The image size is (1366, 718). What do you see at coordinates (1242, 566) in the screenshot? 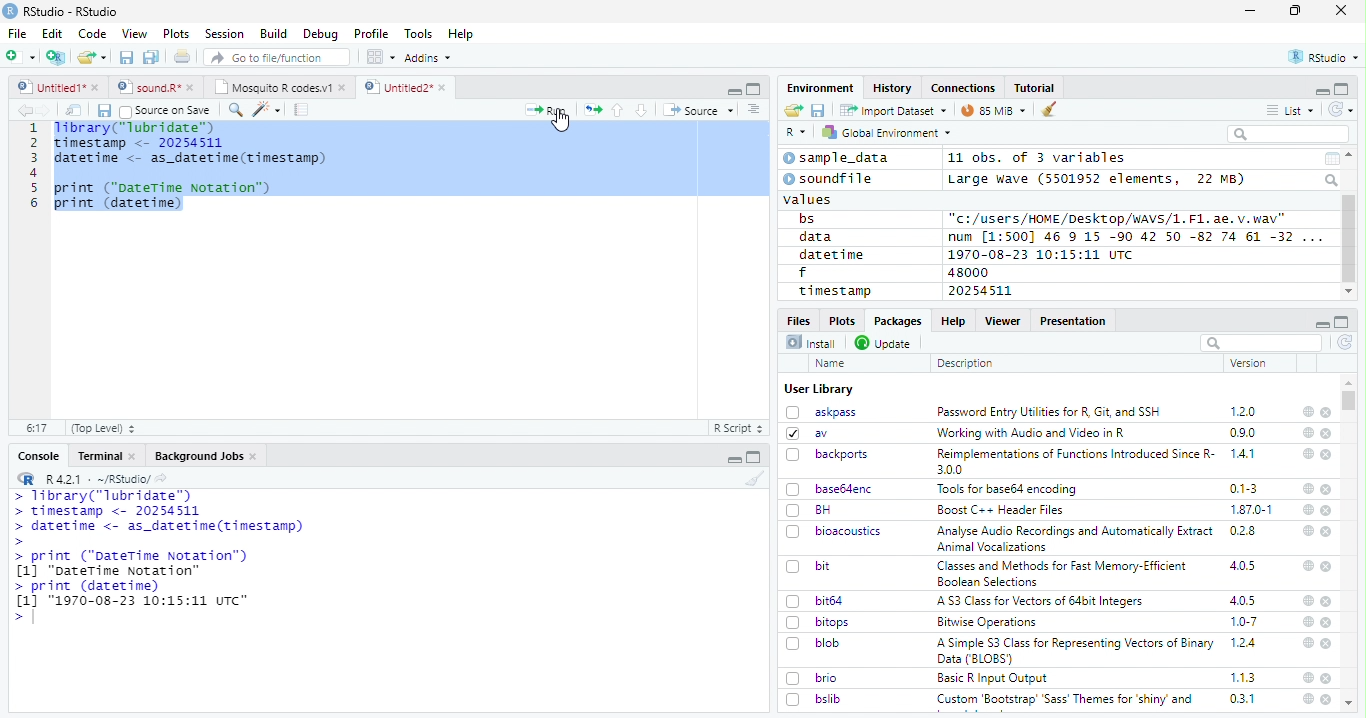
I see `4.0.5` at bounding box center [1242, 566].